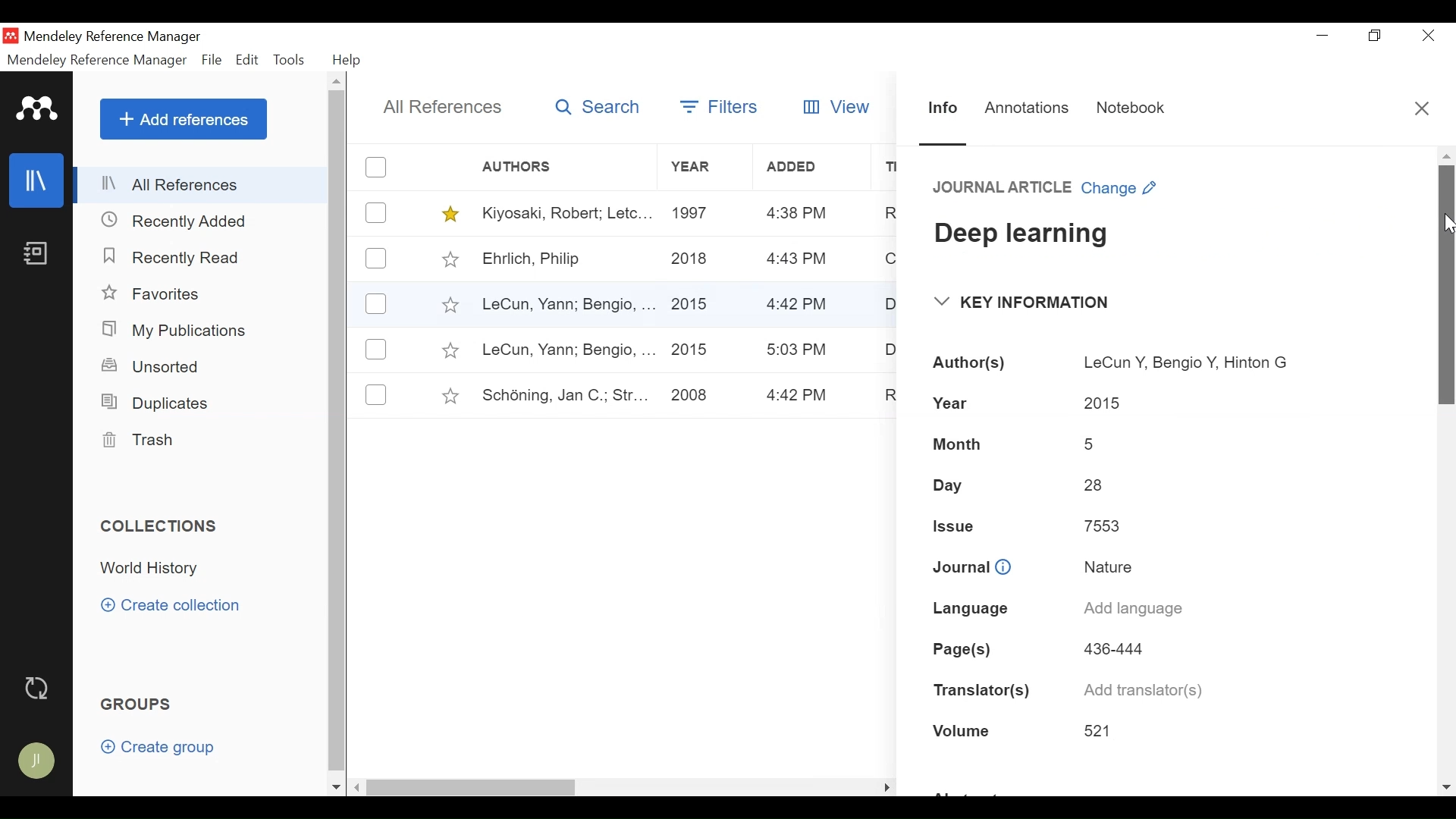 This screenshot has height=819, width=1456. What do you see at coordinates (184, 119) in the screenshot?
I see `Add References` at bounding box center [184, 119].